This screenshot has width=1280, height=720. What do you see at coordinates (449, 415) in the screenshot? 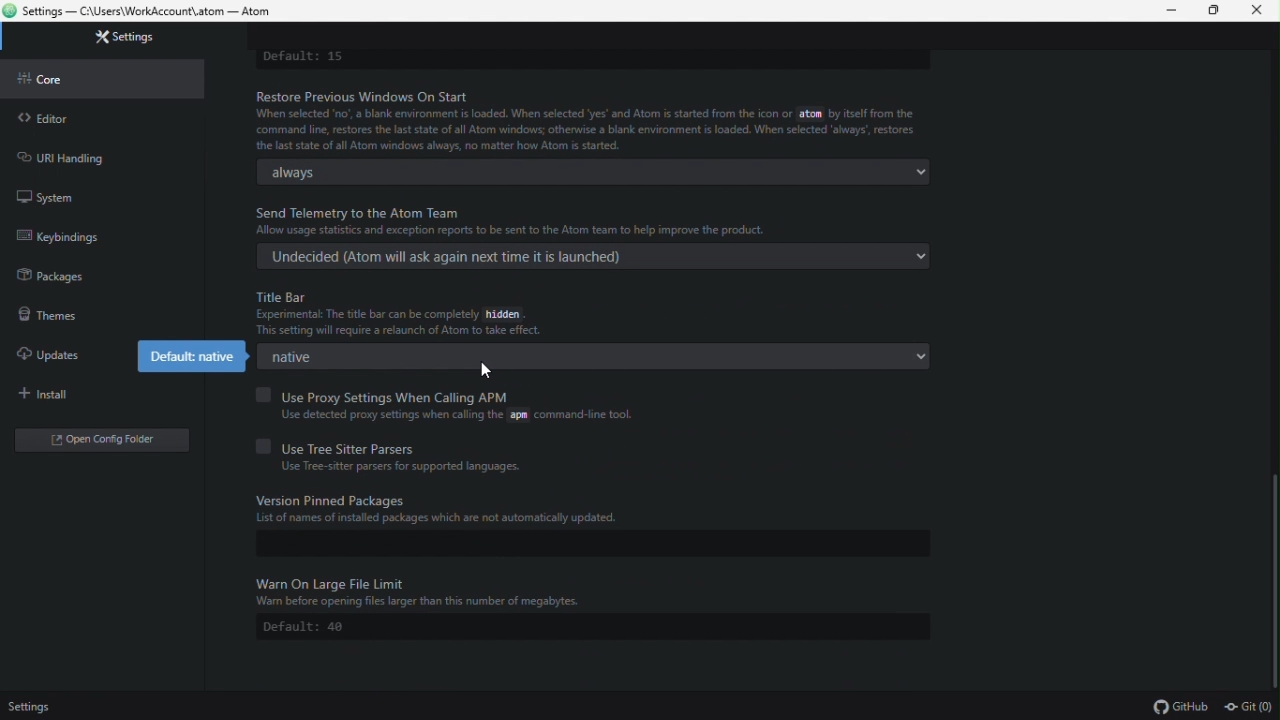
I see `Use detected proxy settings when calling the atom command-line tool.` at bounding box center [449, 415].